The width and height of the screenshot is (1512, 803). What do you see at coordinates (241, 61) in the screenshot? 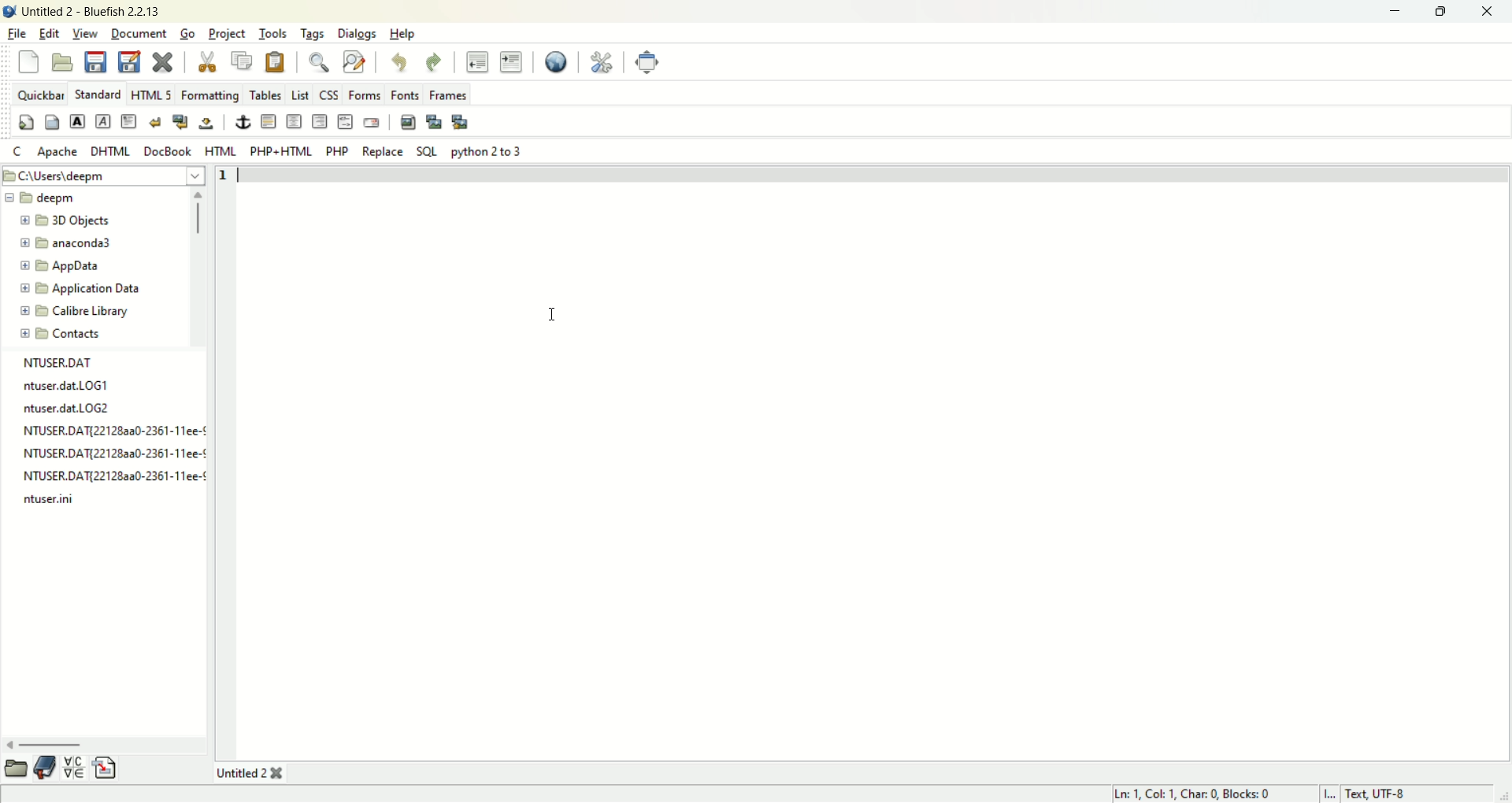
I see `copy` at bounding box center [241, 61].